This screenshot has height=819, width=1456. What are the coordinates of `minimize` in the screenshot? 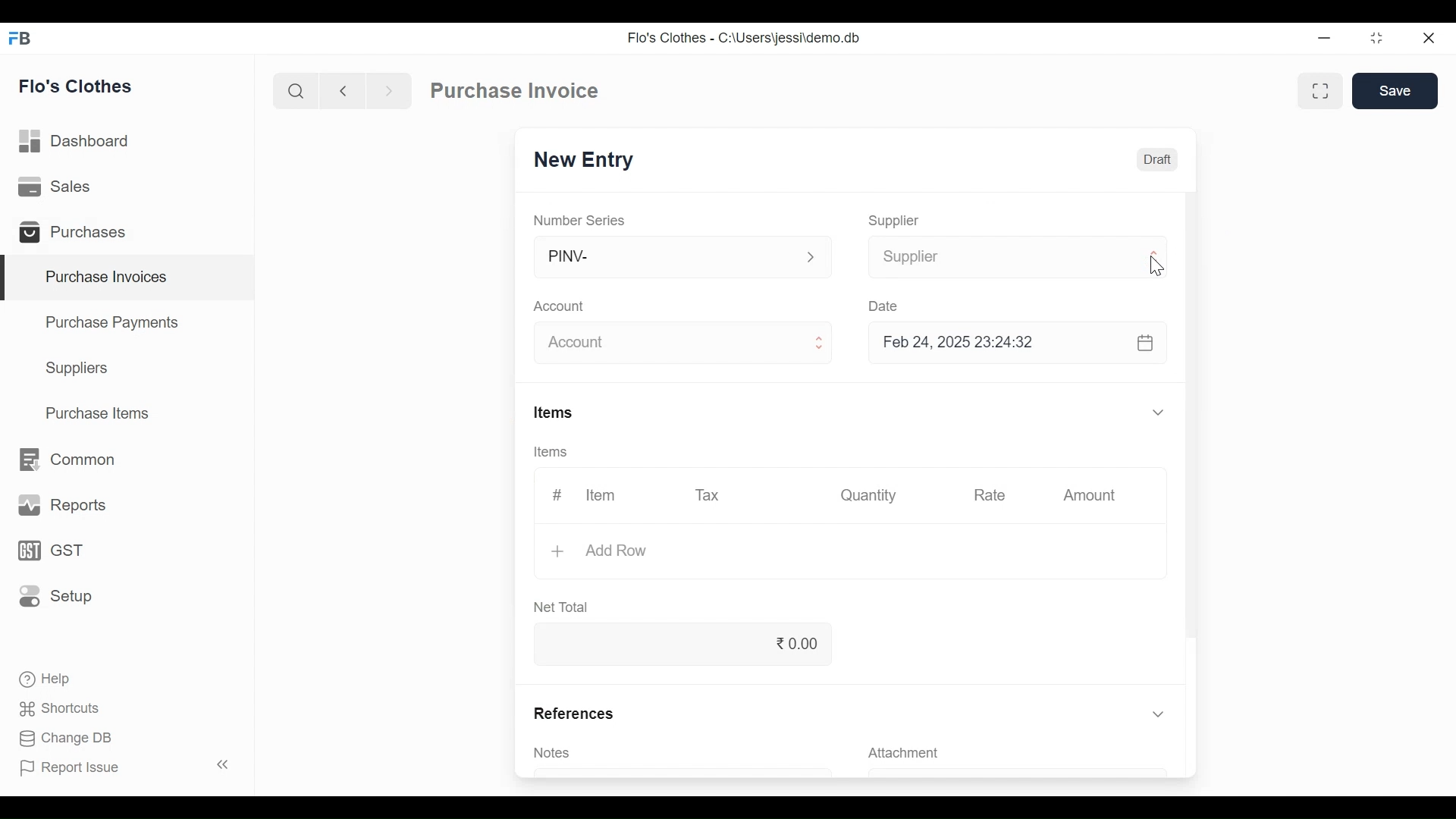 It's located at (1326, 39).